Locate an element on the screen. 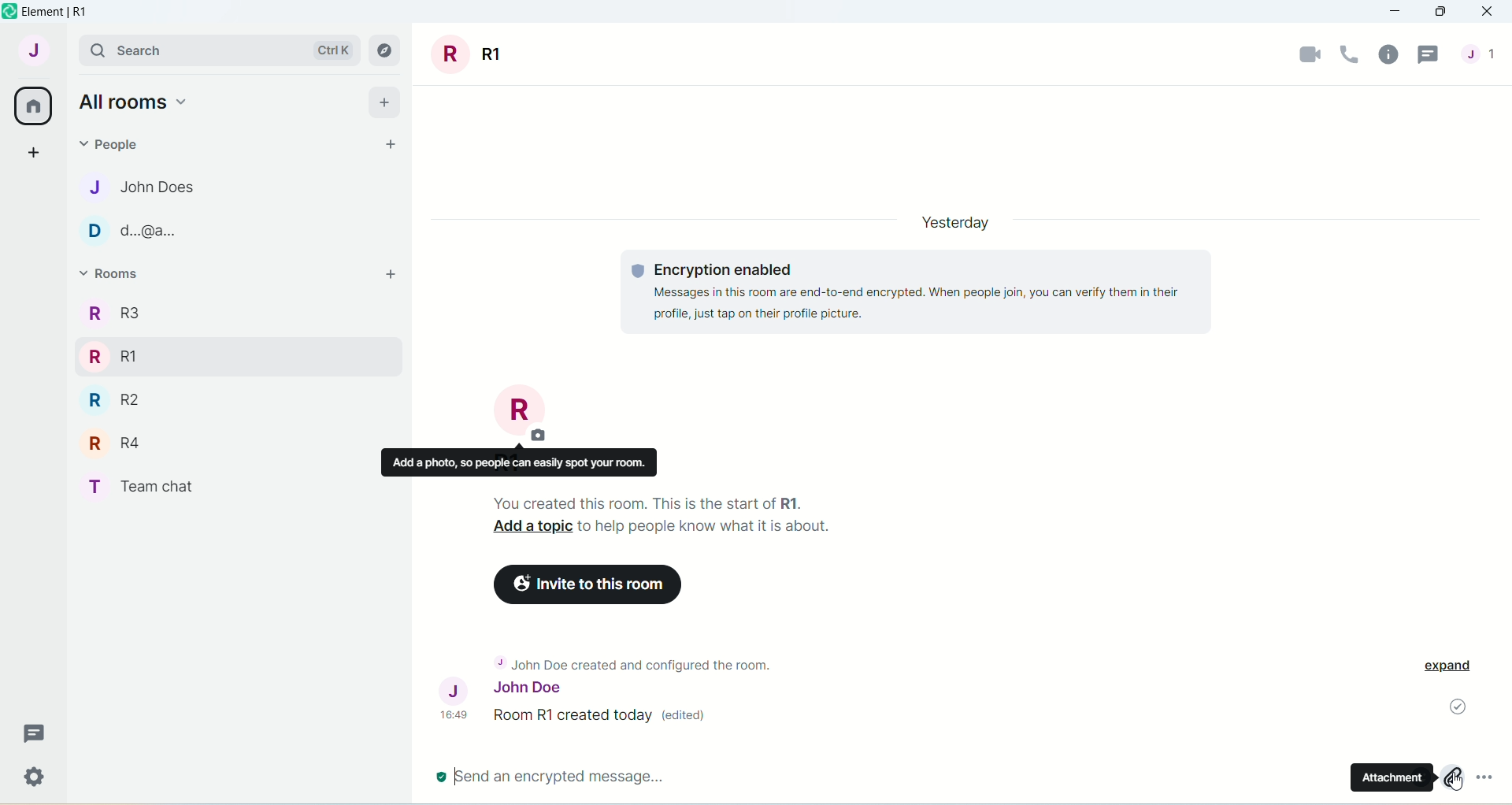 The image size is (1512, 805). R R2 is located at coordinates (114, 401).